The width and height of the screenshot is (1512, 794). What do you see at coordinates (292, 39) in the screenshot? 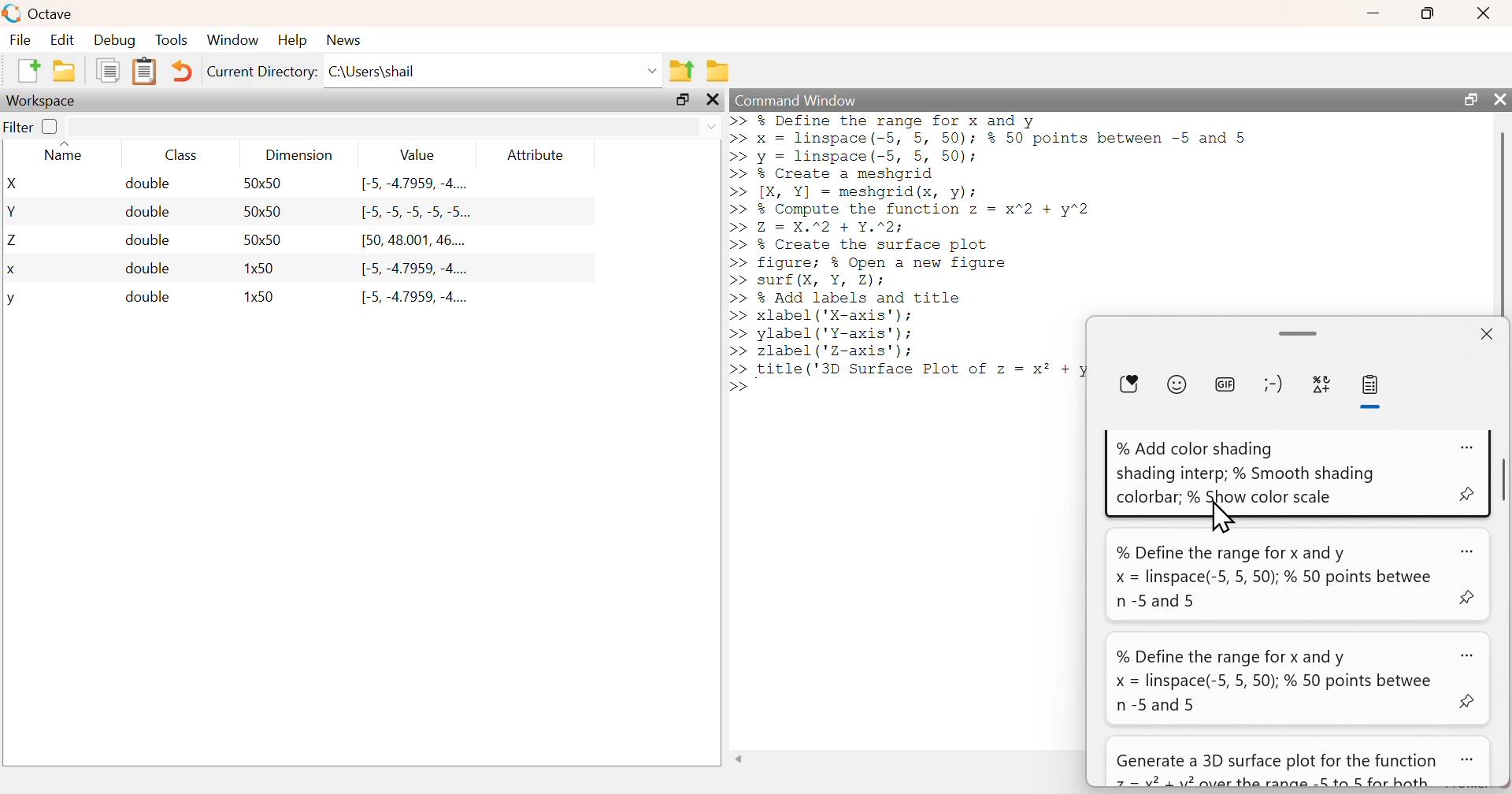
I see `Help` at bounding box center [292, 39].